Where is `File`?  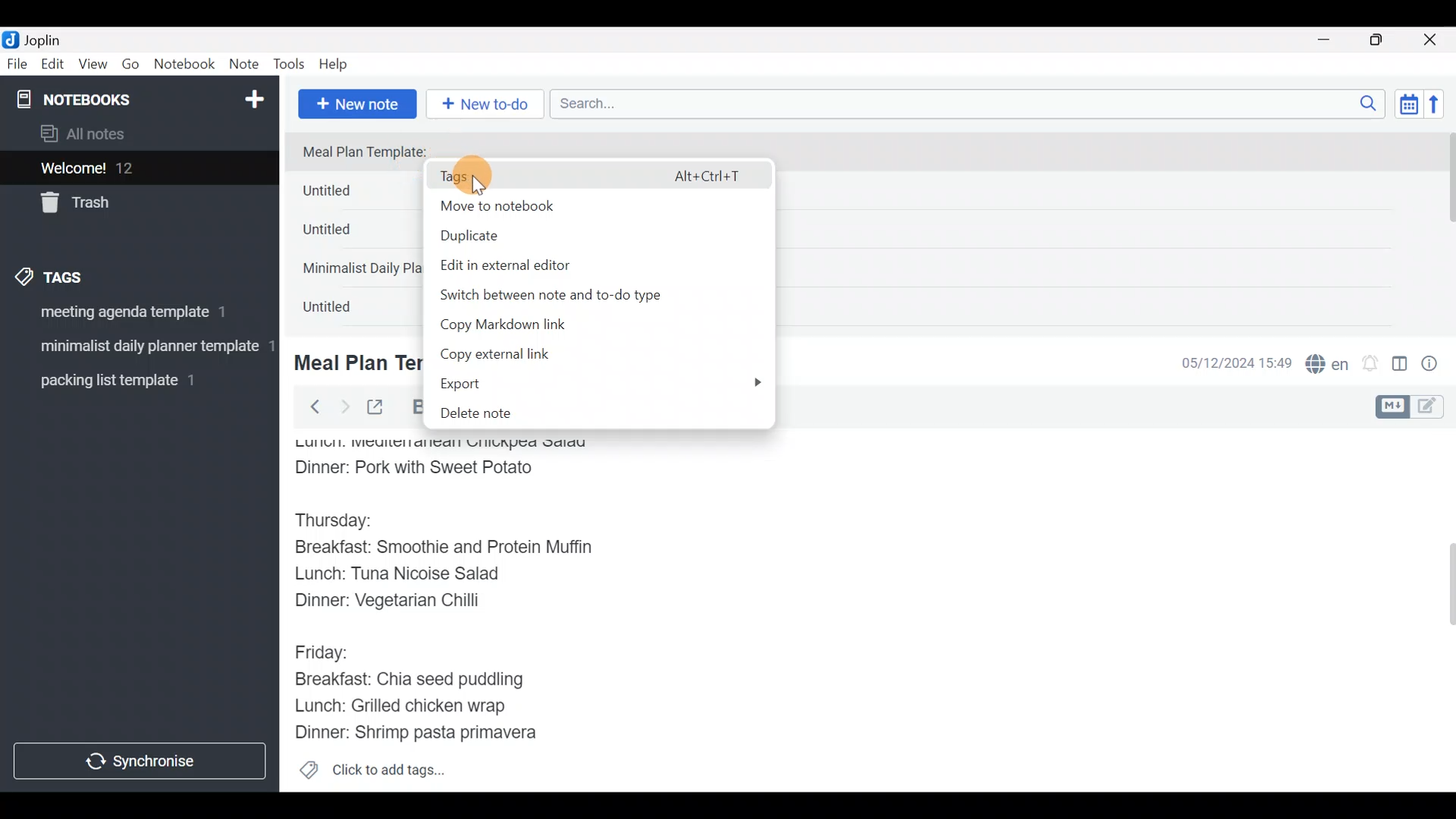 File is located at coordinates (18, 64).